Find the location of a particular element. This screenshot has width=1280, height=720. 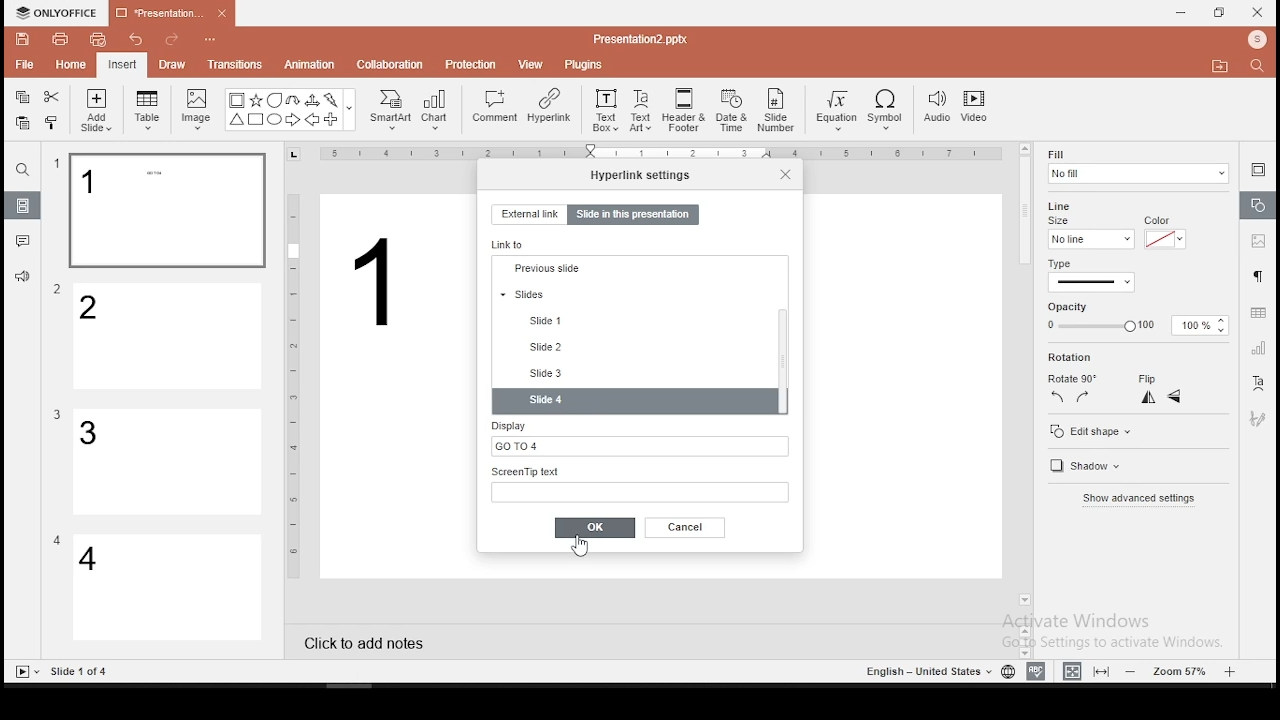

transitions is located at coordinates (234, 64).